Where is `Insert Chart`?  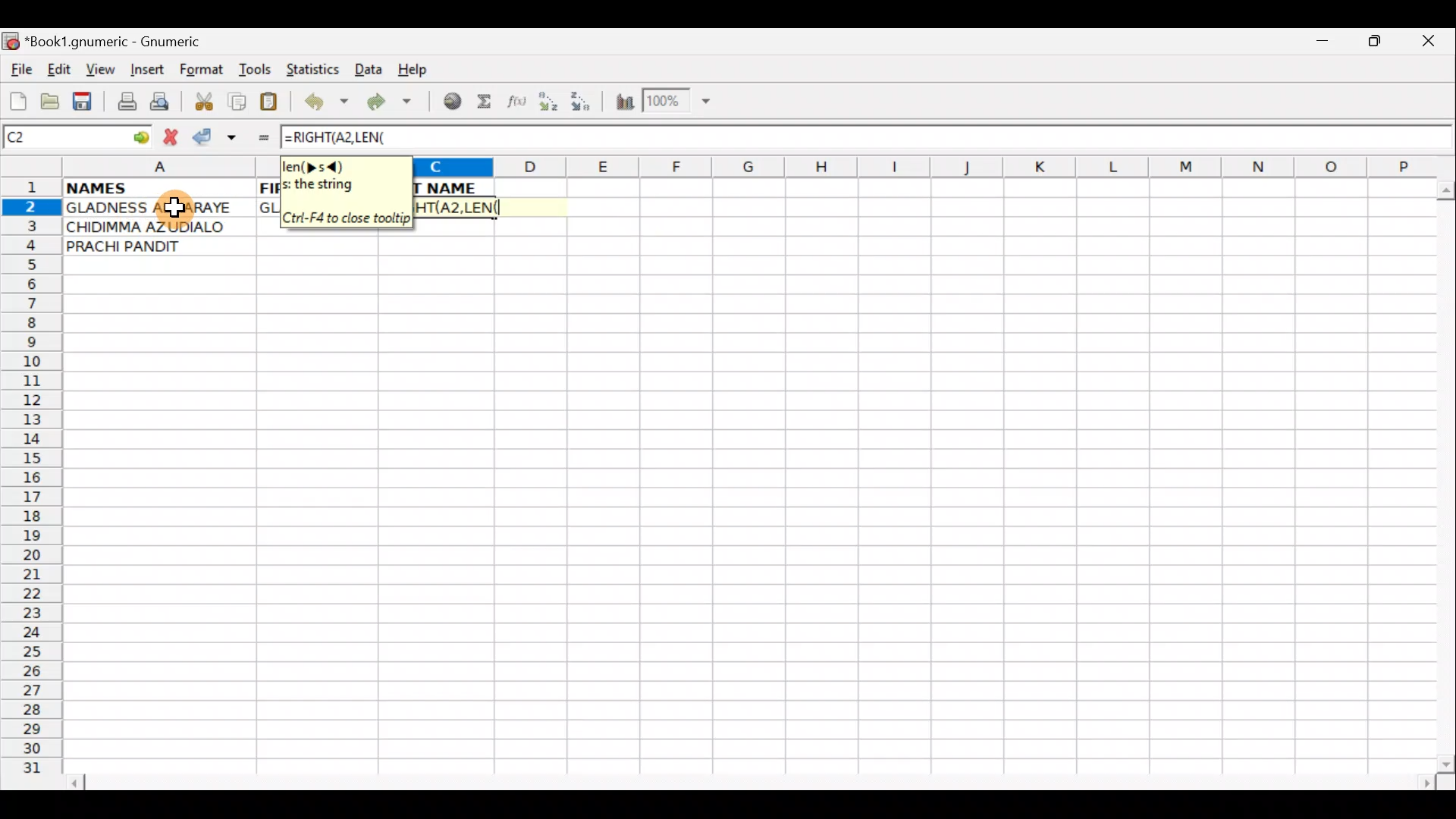
Insert Chart is located at coordinates (620, 104).